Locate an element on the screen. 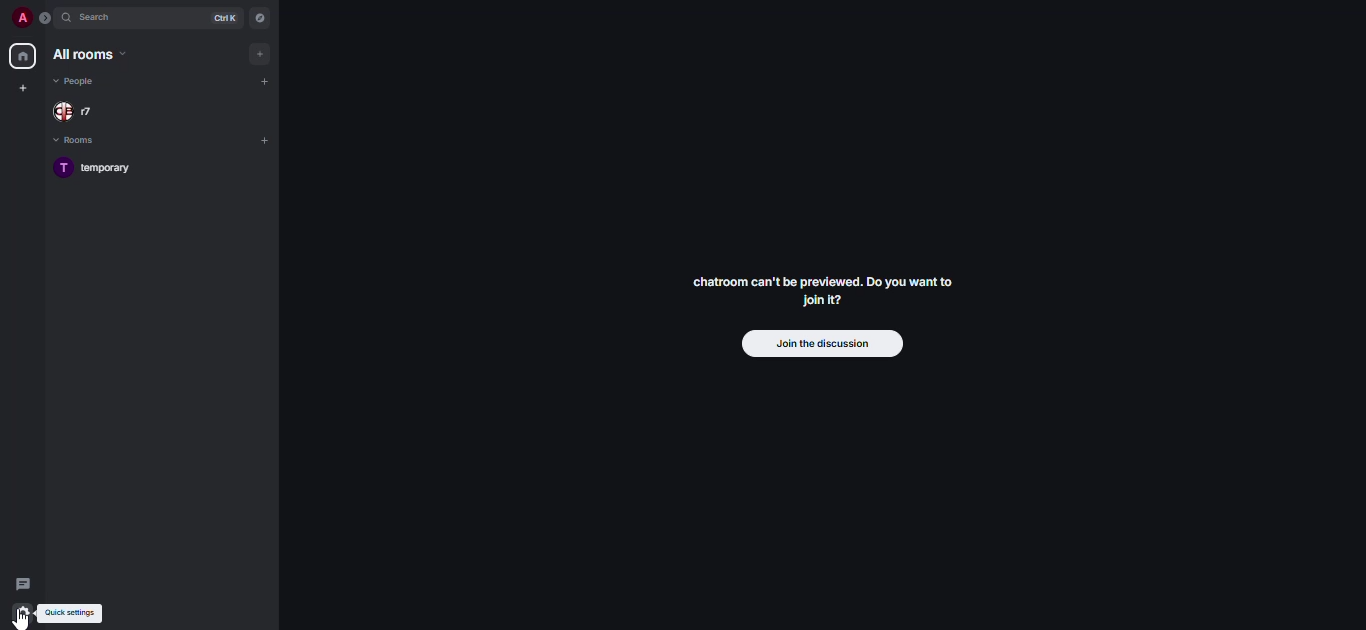 Image resolution: width=1366 pixels, height=630 pixels. home is located at coordinates (21, 55).